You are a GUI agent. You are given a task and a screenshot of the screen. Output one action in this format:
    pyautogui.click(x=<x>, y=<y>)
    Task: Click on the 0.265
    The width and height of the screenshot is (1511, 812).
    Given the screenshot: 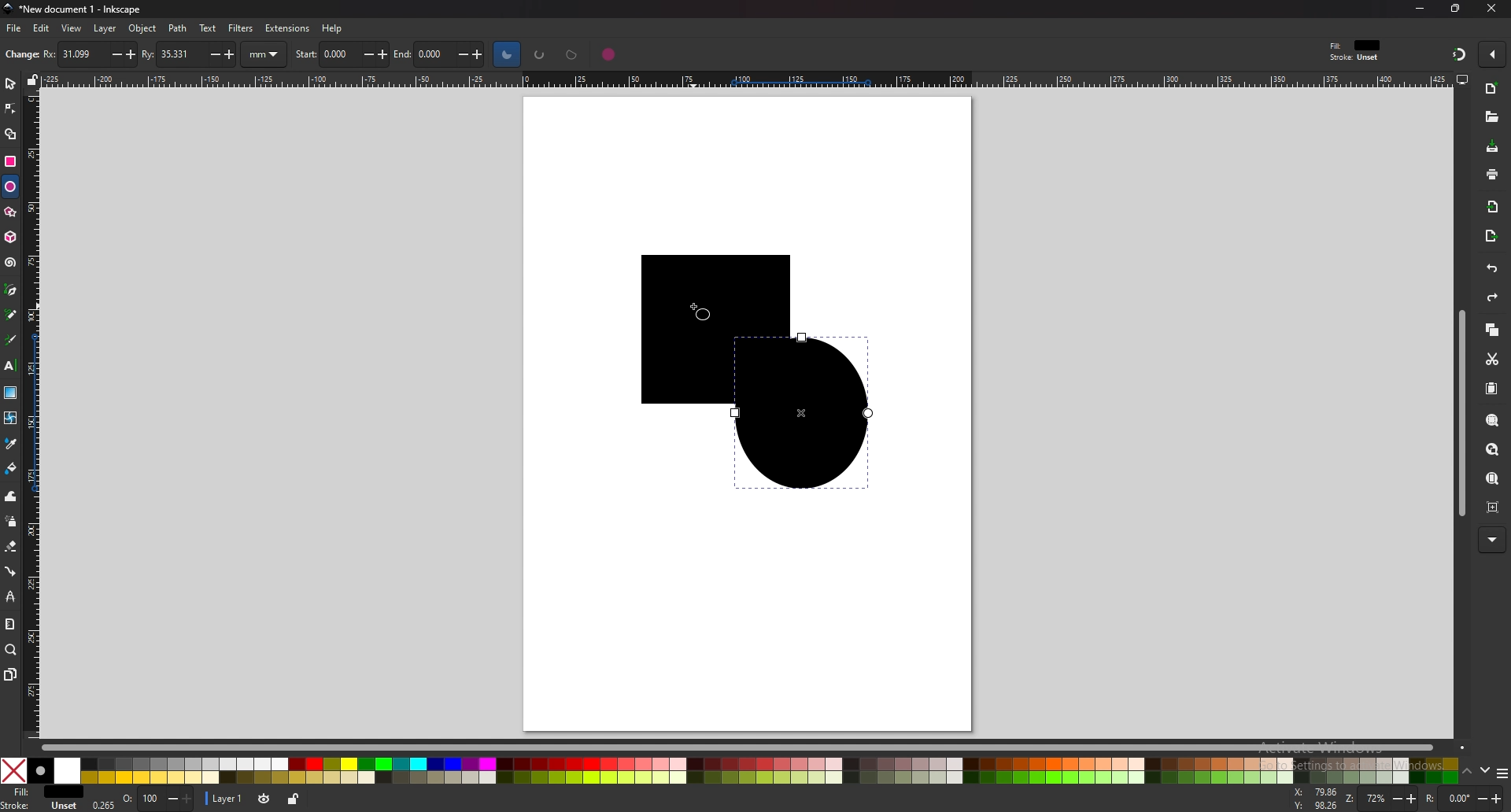 What is the action you would take?
    pyautogui.click(x=104, y=804)
    